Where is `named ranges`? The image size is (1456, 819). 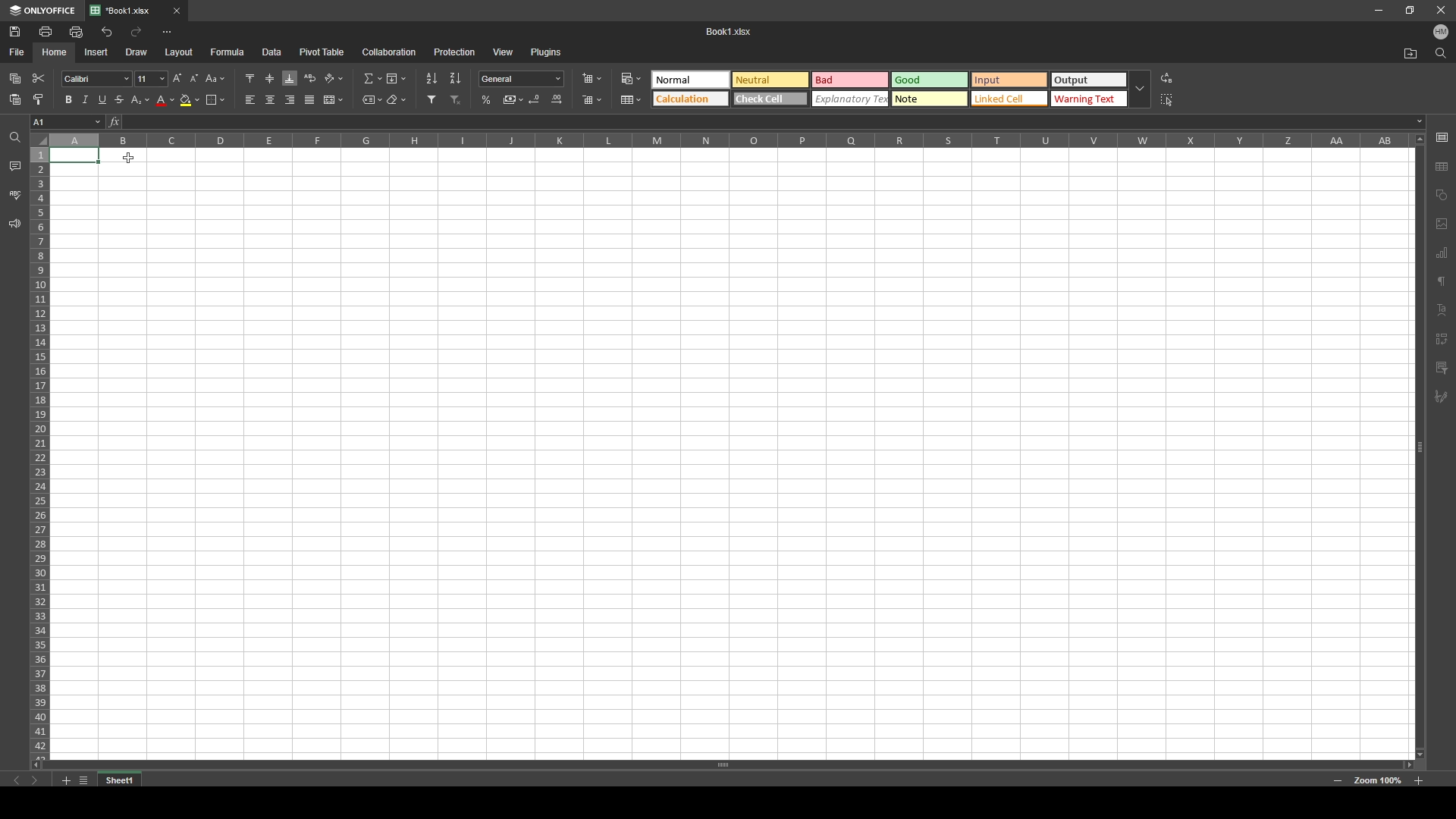
named ranges is located at coordinates (372, 99).